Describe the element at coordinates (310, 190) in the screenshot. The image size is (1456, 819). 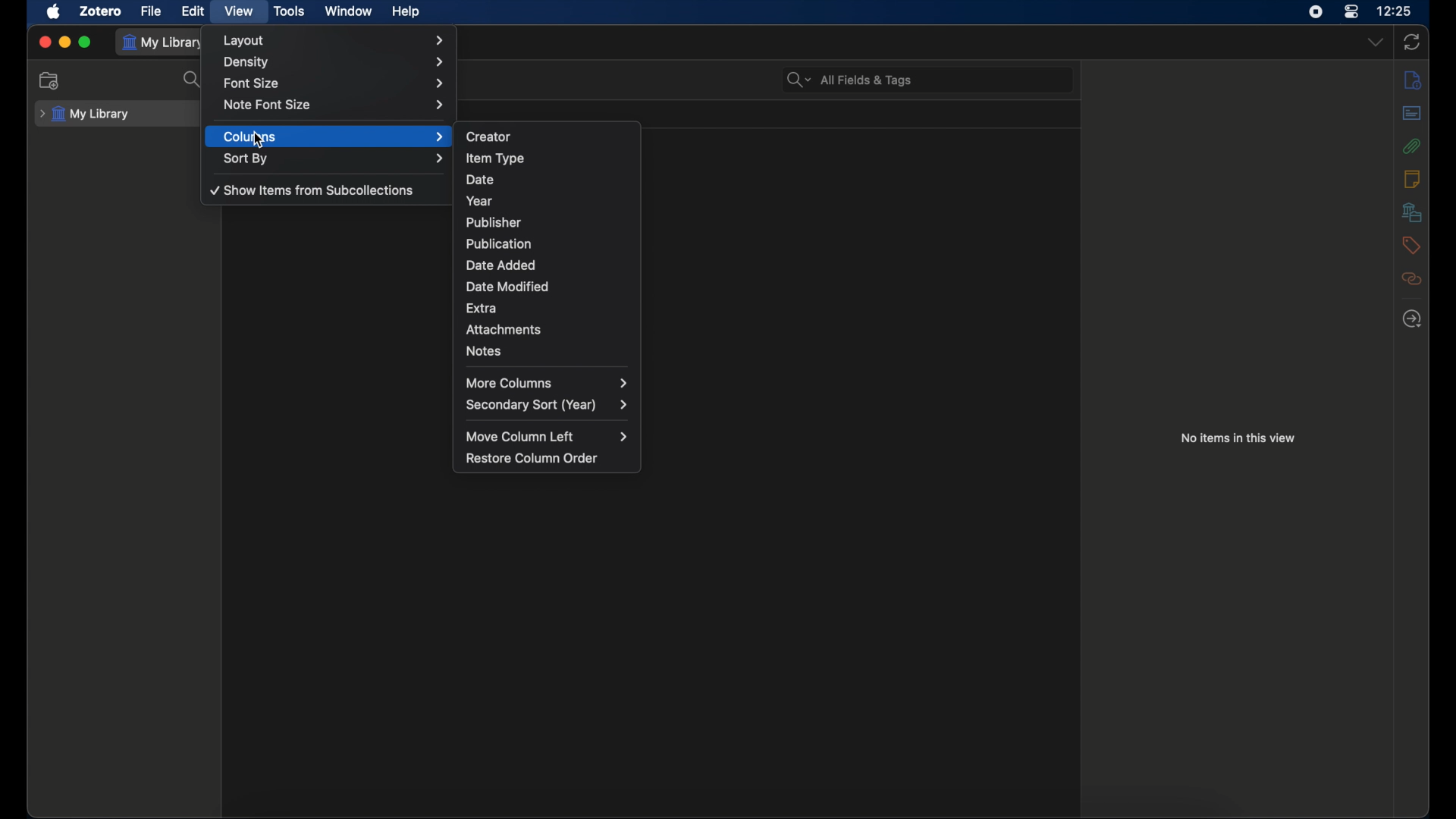
I see `show items from subcollections` at that location.